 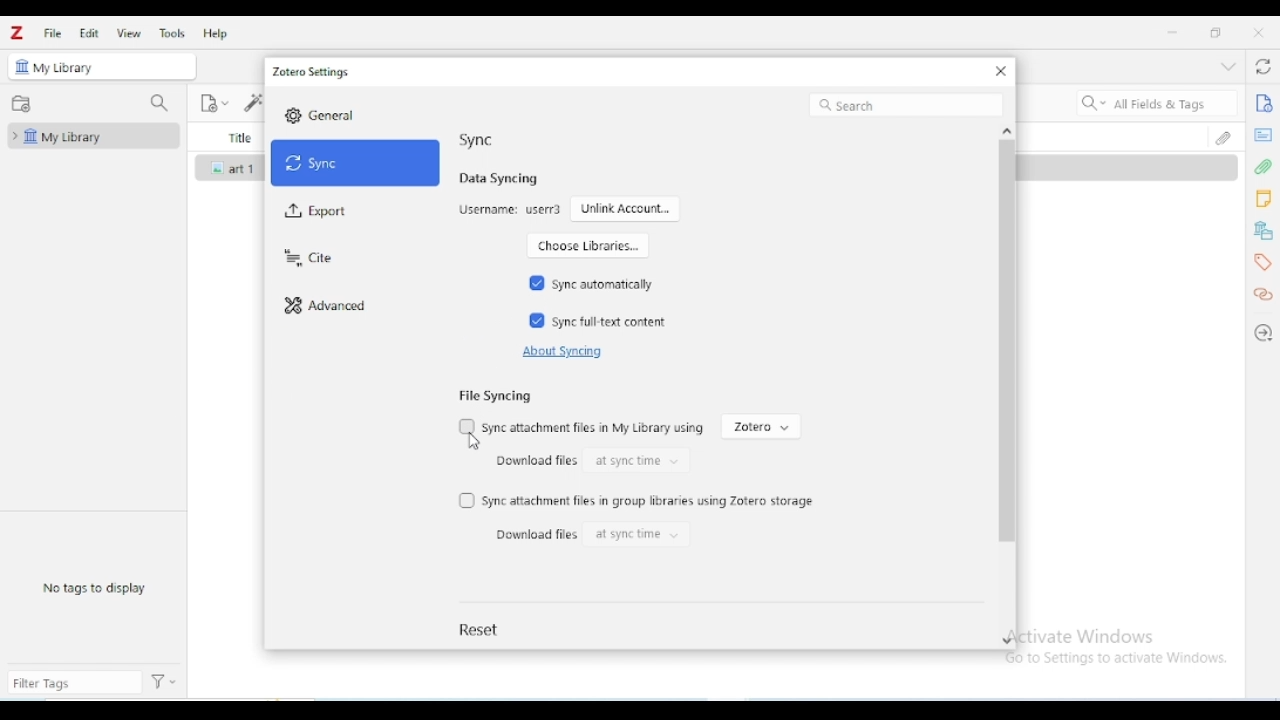 I want to click on username: user3, so click(x=510, y=210).